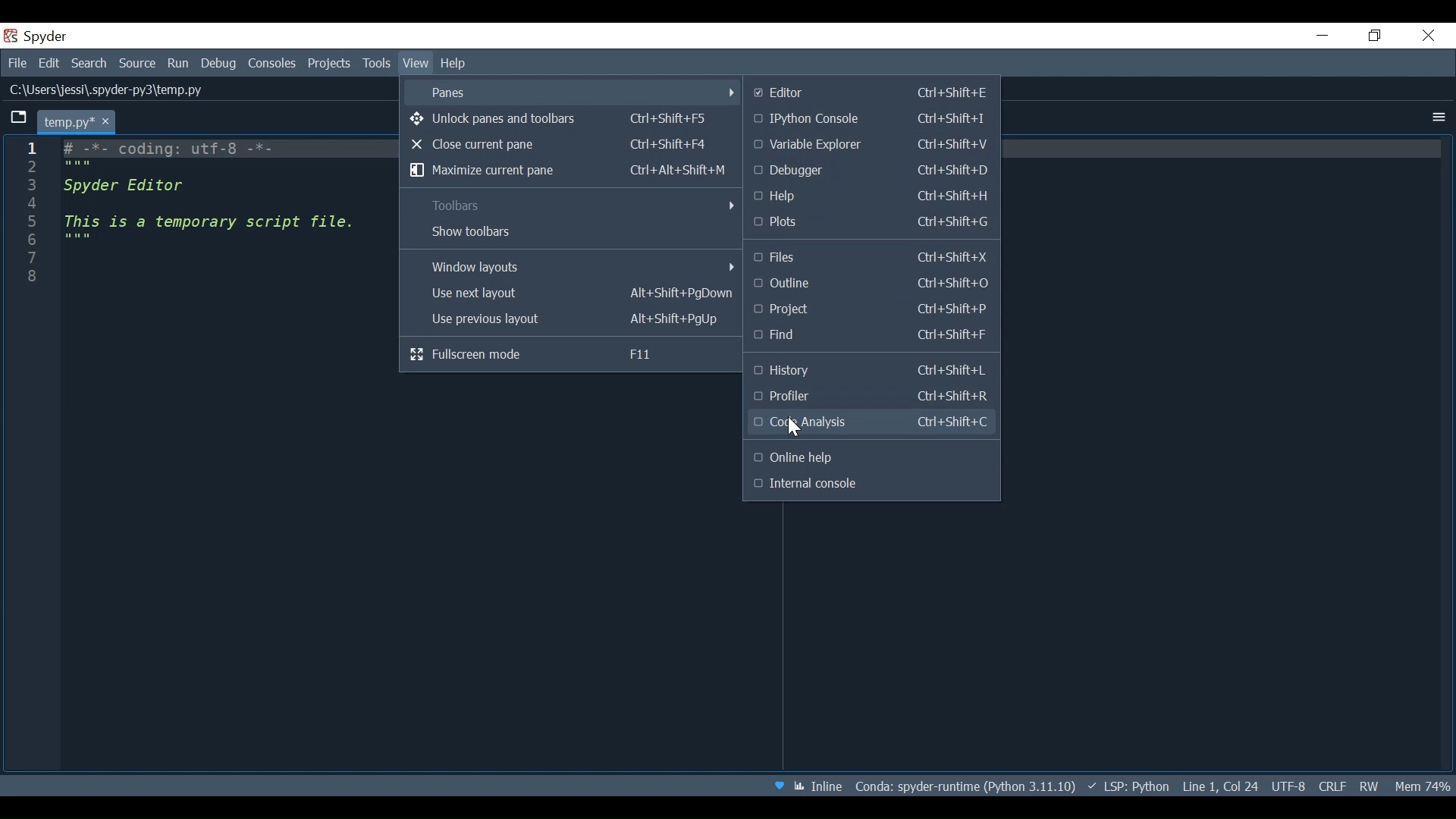  What do you see at coordinates (570, 170) in the screenshot?
I see `Maximize current pane` at bounding box center [570, 170].